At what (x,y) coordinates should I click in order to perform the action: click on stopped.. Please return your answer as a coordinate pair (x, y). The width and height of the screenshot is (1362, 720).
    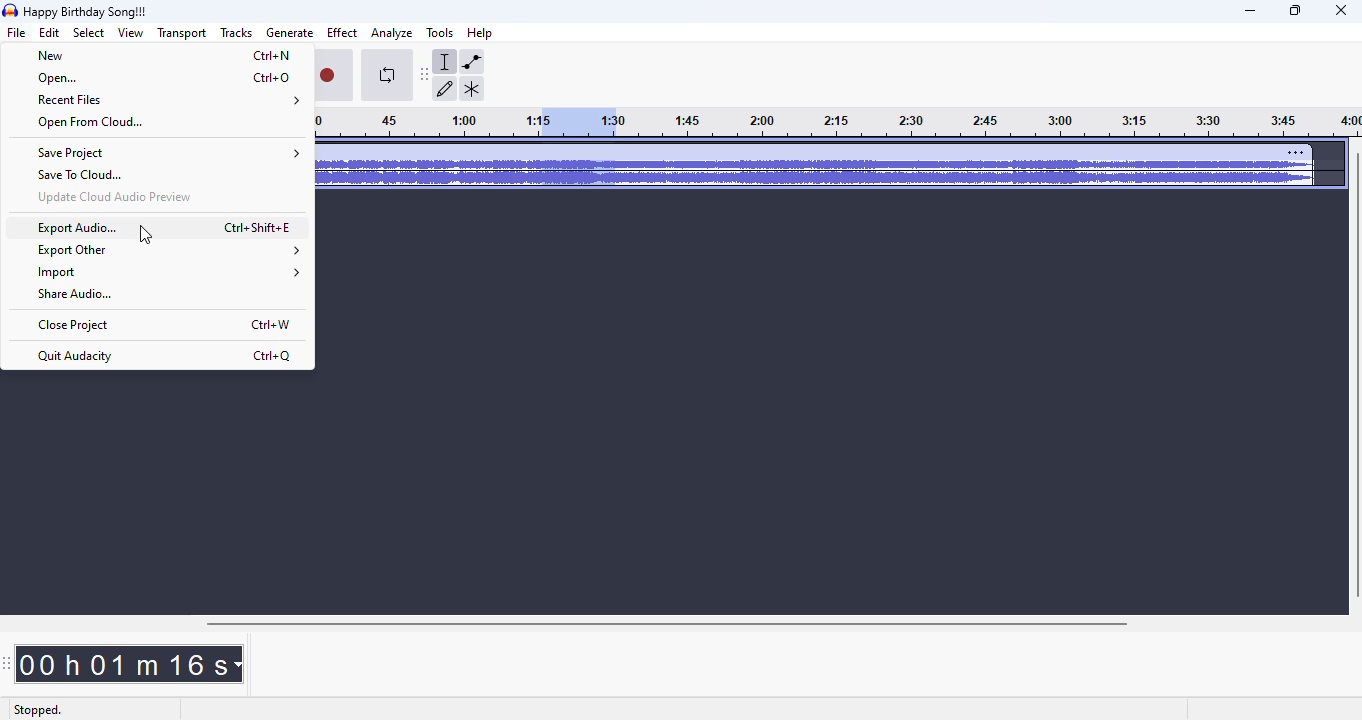
    Looking at the image, I should click on (37, 711).